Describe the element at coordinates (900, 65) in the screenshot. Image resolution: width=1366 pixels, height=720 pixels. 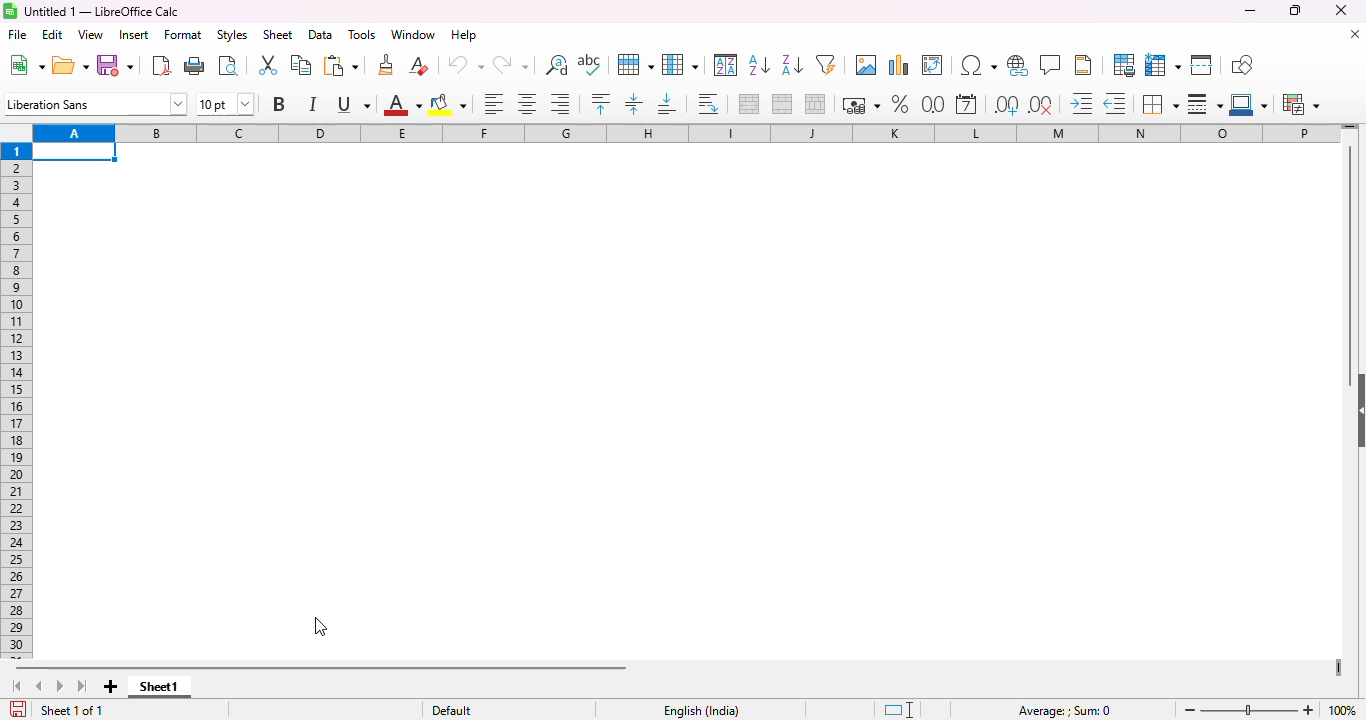
I see `insert chart` at that location.